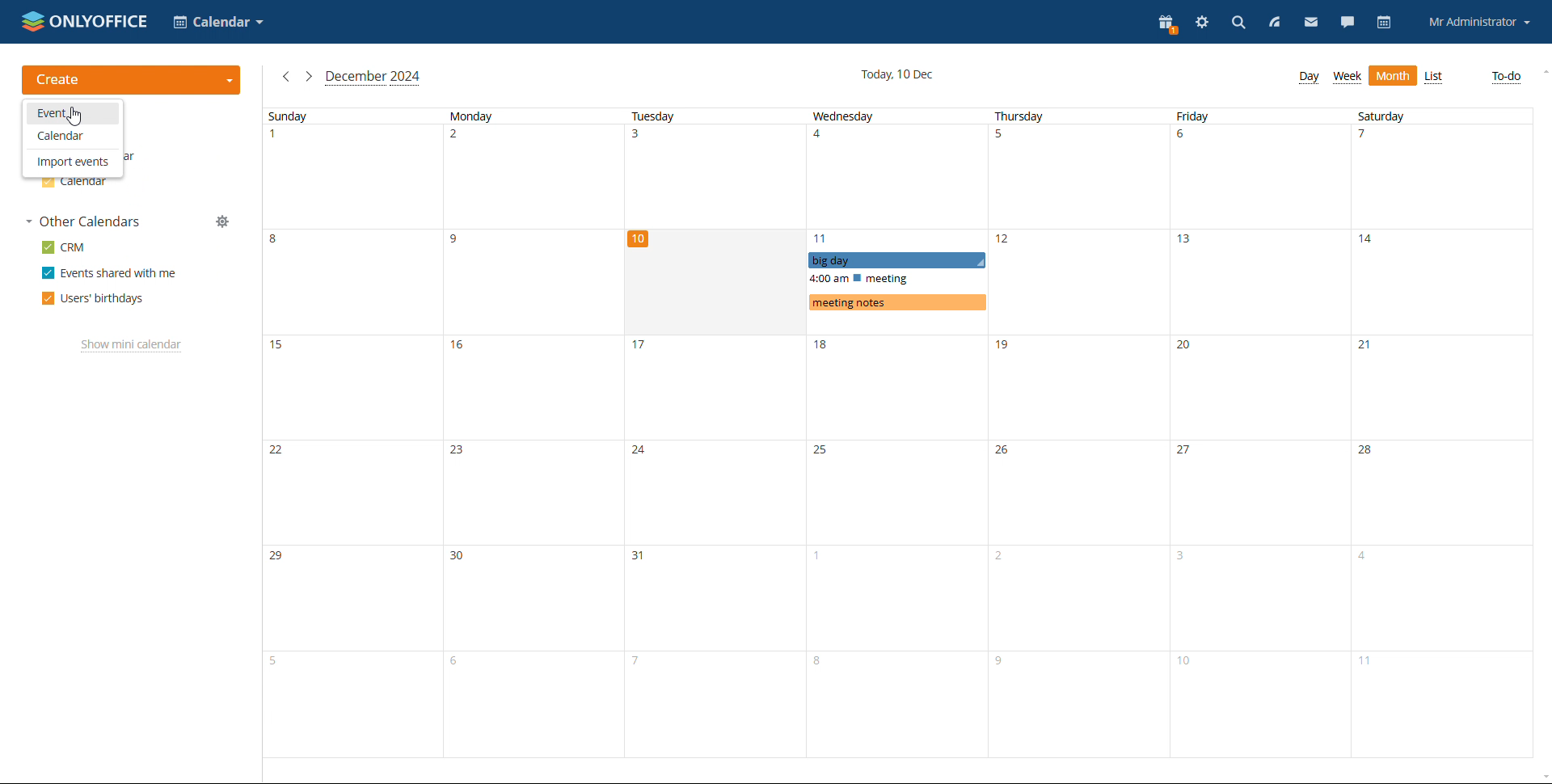 The image size is (1552, 784). What do you see at coordinates (309, 78) in the screenshot?
I see `next month` at bounding box center [309, 78].